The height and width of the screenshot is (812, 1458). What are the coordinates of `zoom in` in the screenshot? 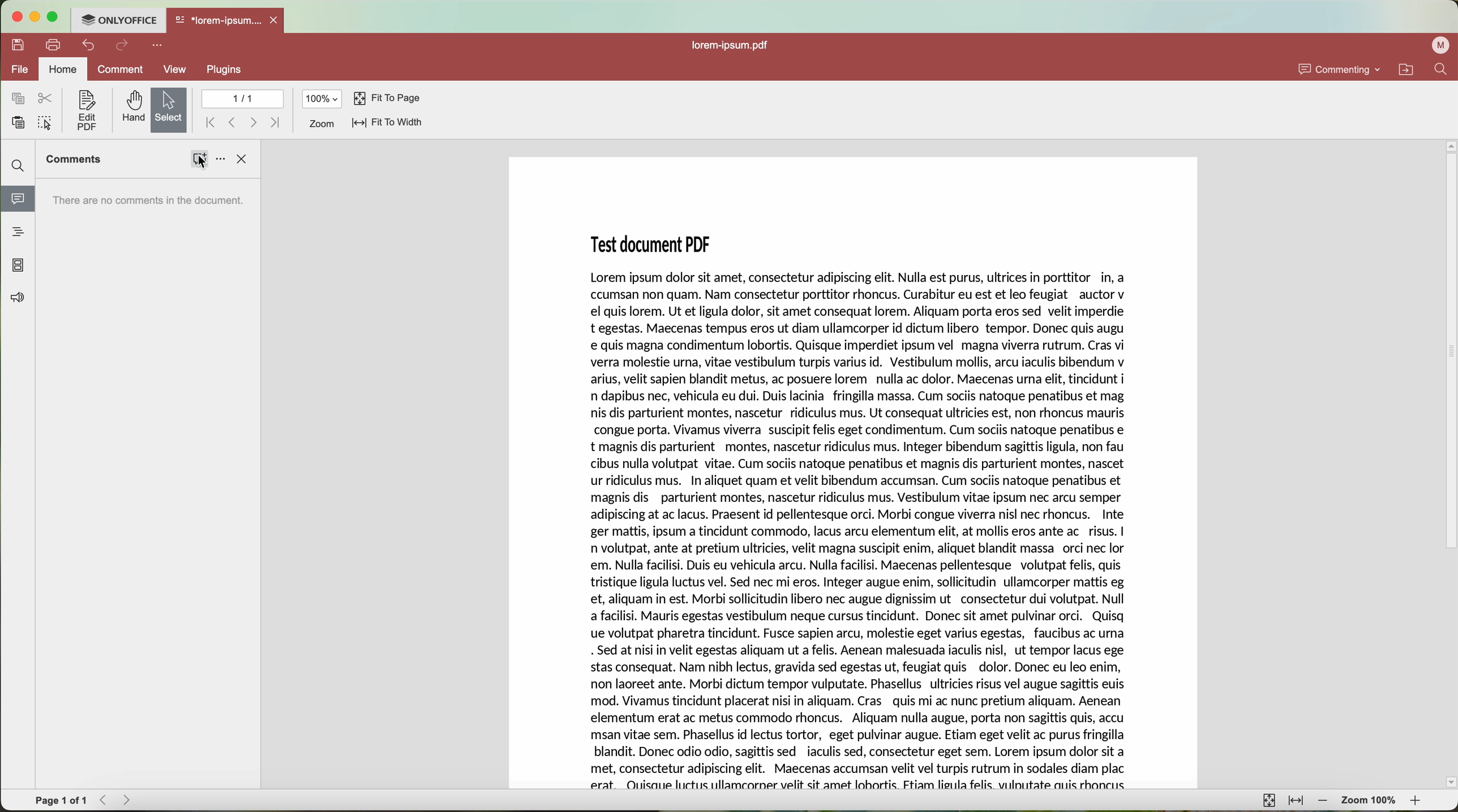 It's located at (1419, 802).